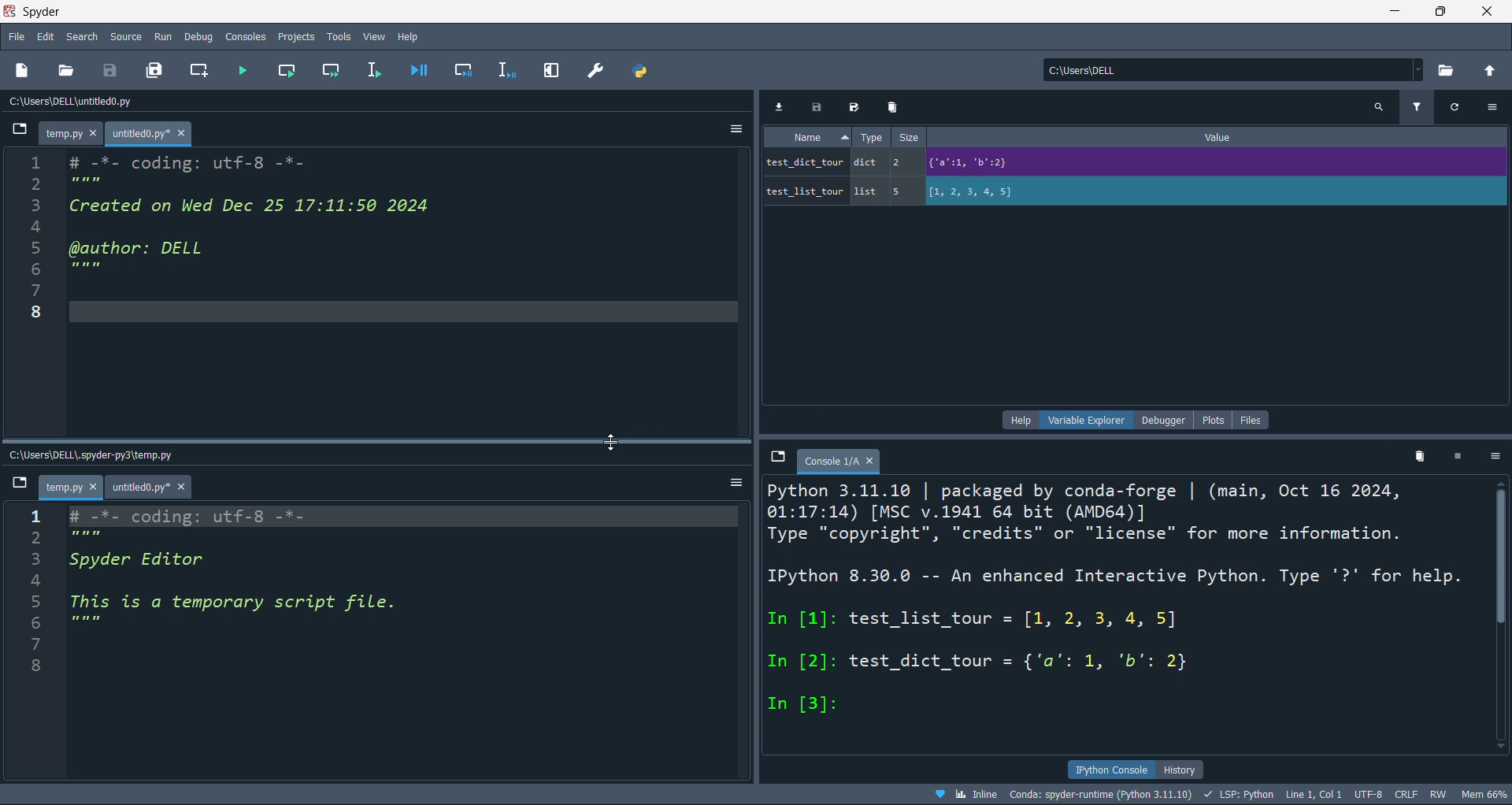 This screenshot has width=1512, height=805. What do you see at coordinates (1392, 12) in the screenshot?
I see `minimize` at bounding box center [1392, 12].